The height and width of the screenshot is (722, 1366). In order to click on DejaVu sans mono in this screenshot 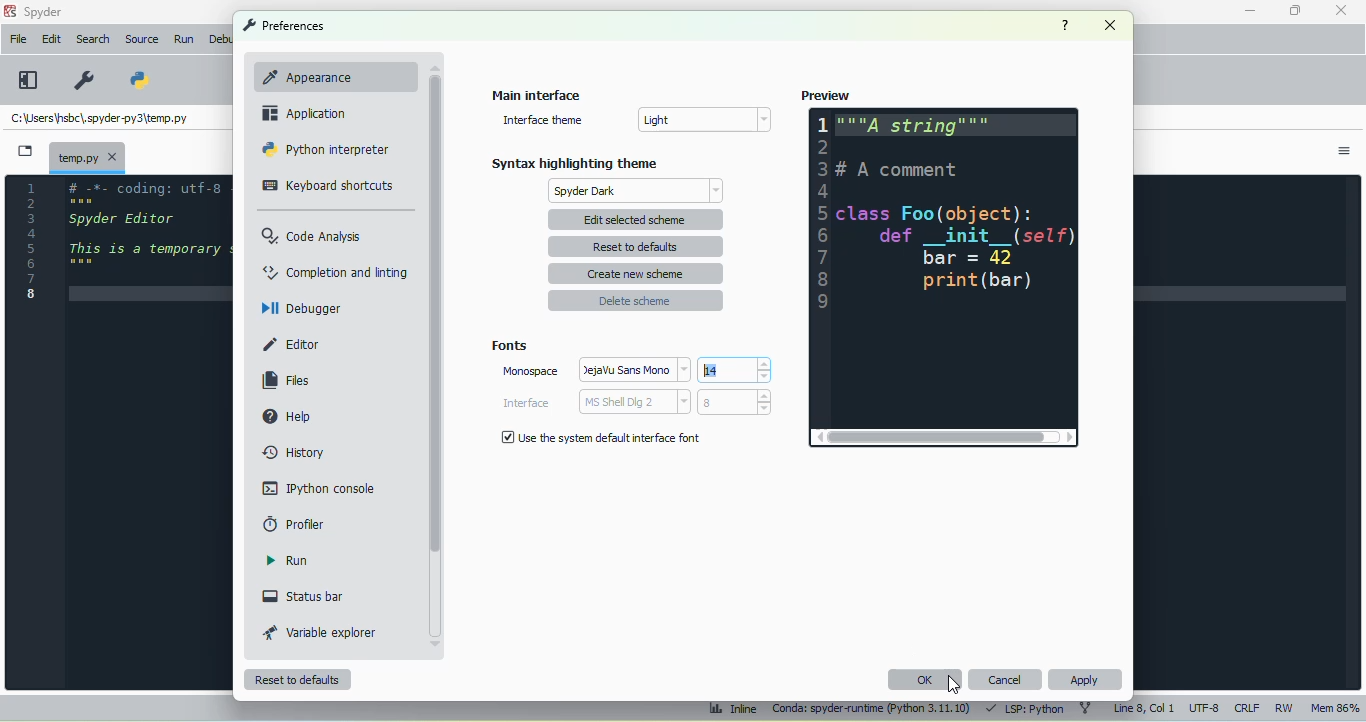, I will do `click(636, 369)`.